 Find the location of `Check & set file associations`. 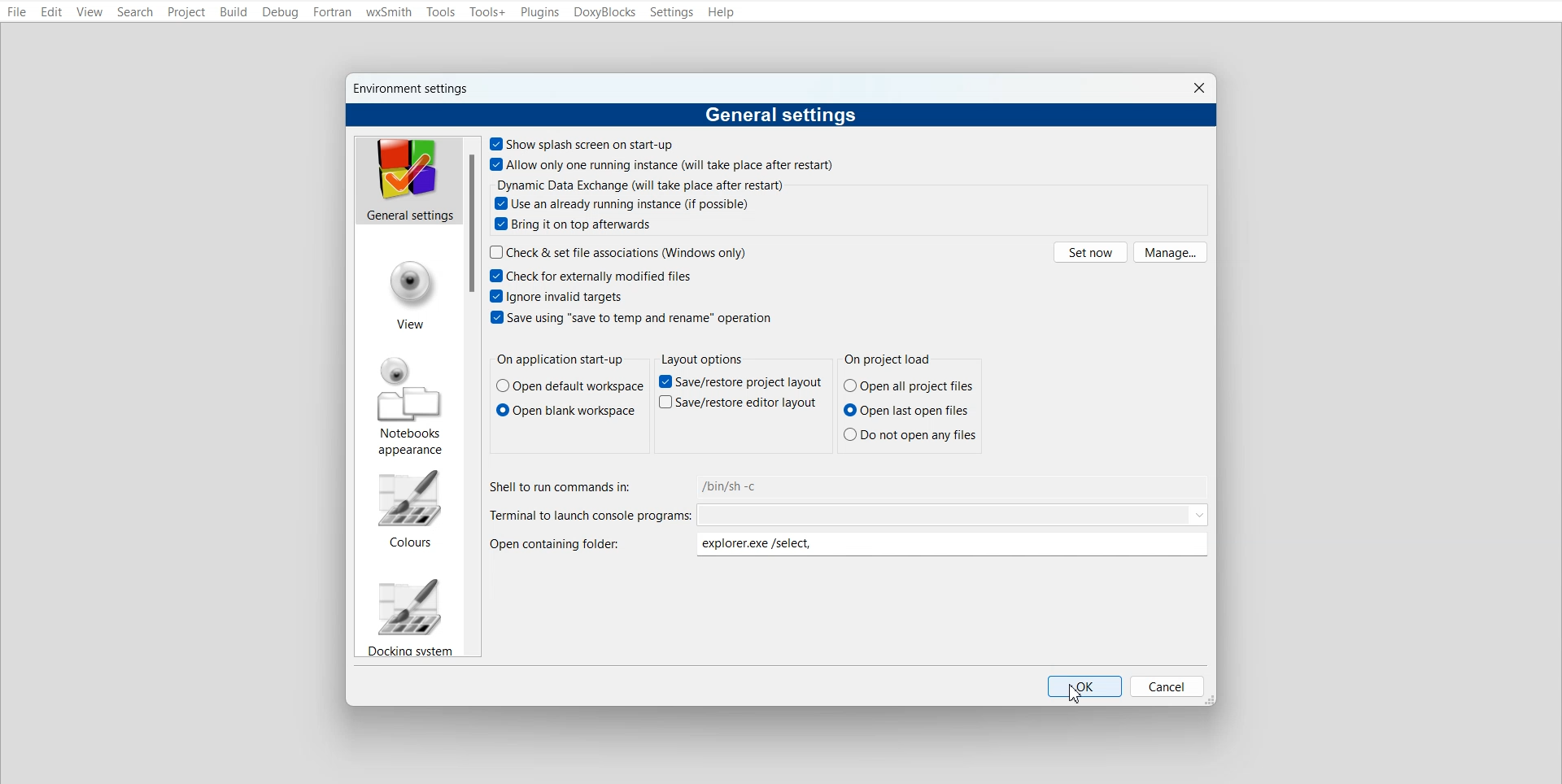

Check & set file associations is located at coordinates (619, 251).